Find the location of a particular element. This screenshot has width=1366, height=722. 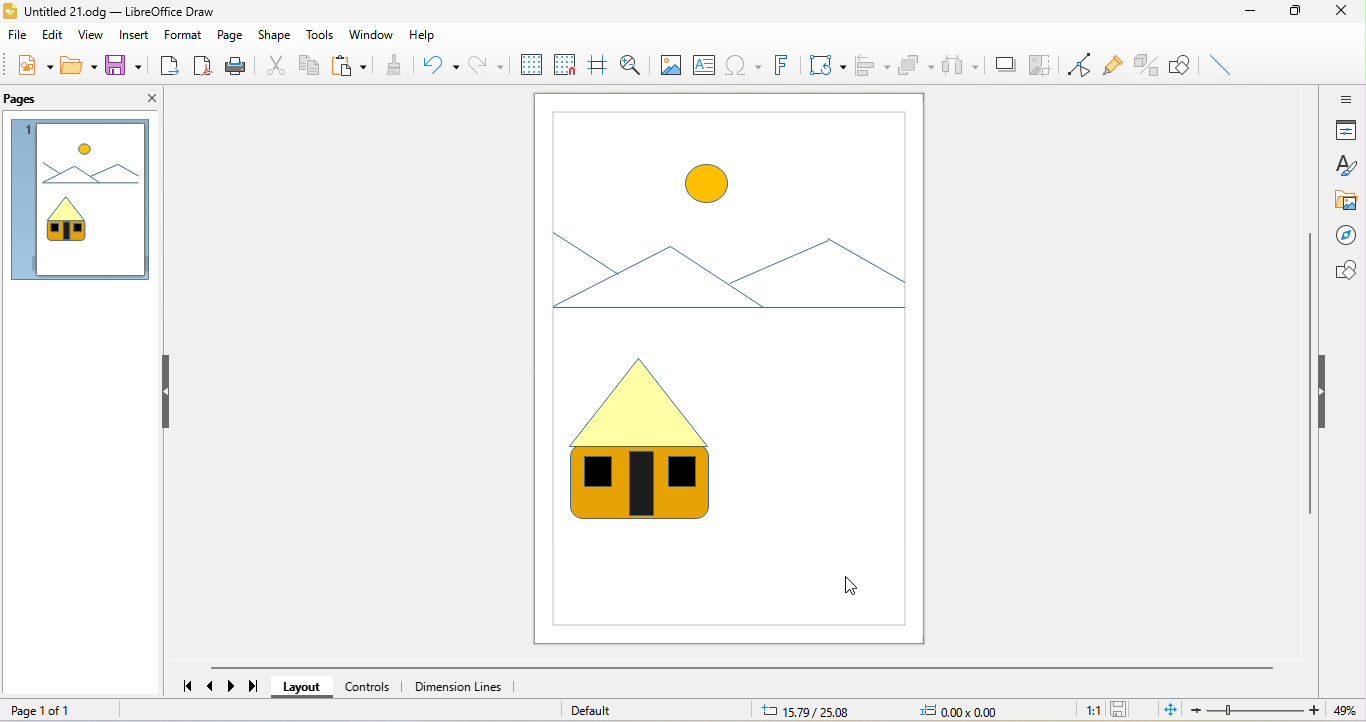

1:1 is located at coordinates (1087, 710).